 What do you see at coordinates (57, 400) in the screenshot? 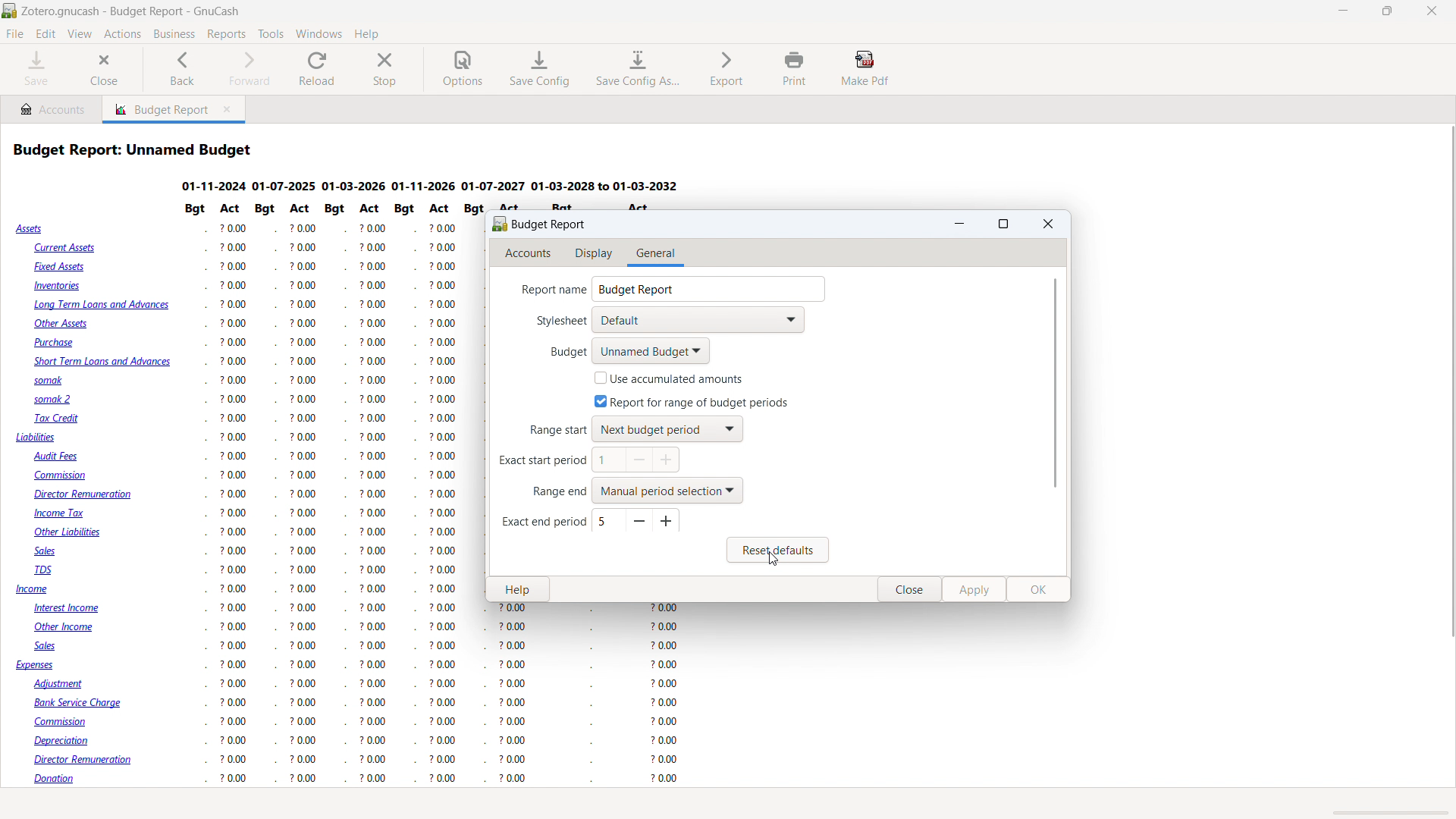
I see `somak 2` at bounding box center [57, 400].